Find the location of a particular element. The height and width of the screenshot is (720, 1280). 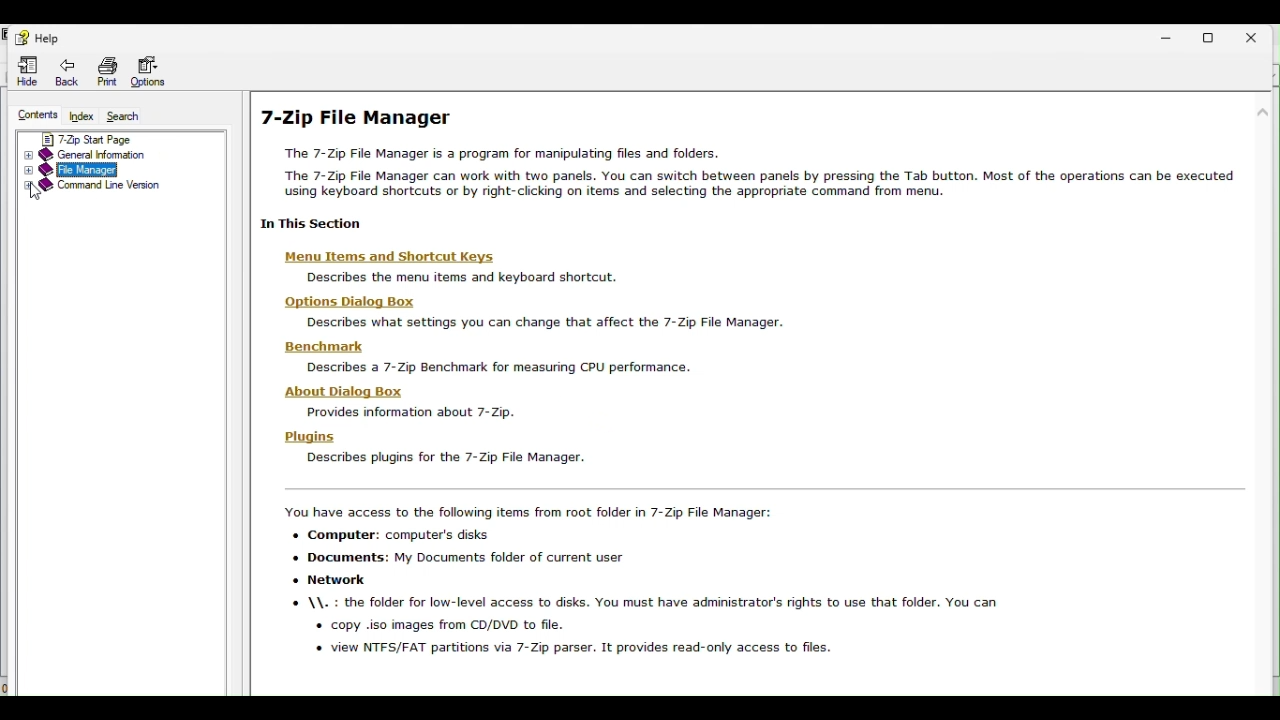

Help is located at coordinates (39, 38).